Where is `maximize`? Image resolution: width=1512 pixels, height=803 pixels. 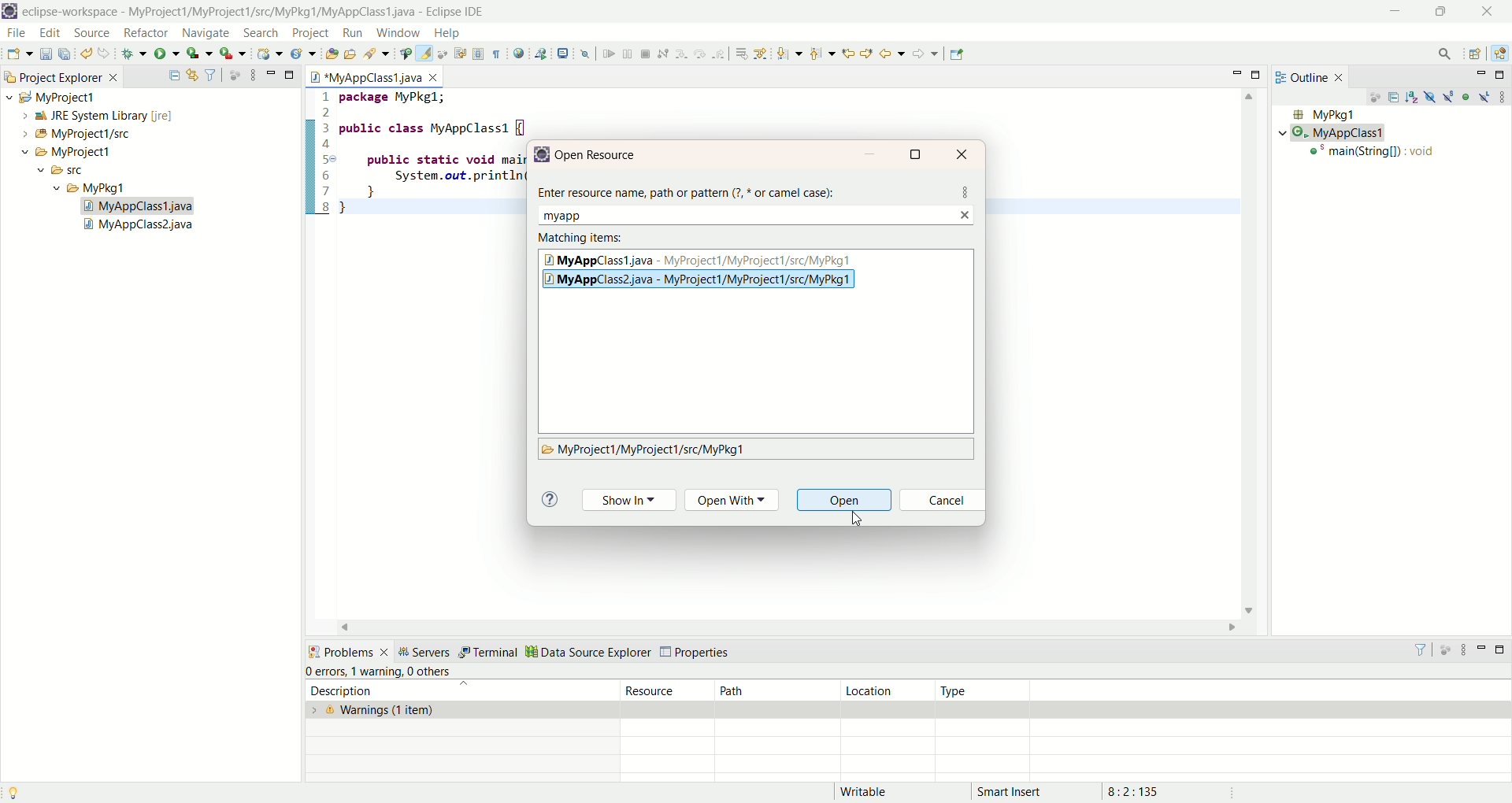 maximize is located at coordinates (1502, 652).